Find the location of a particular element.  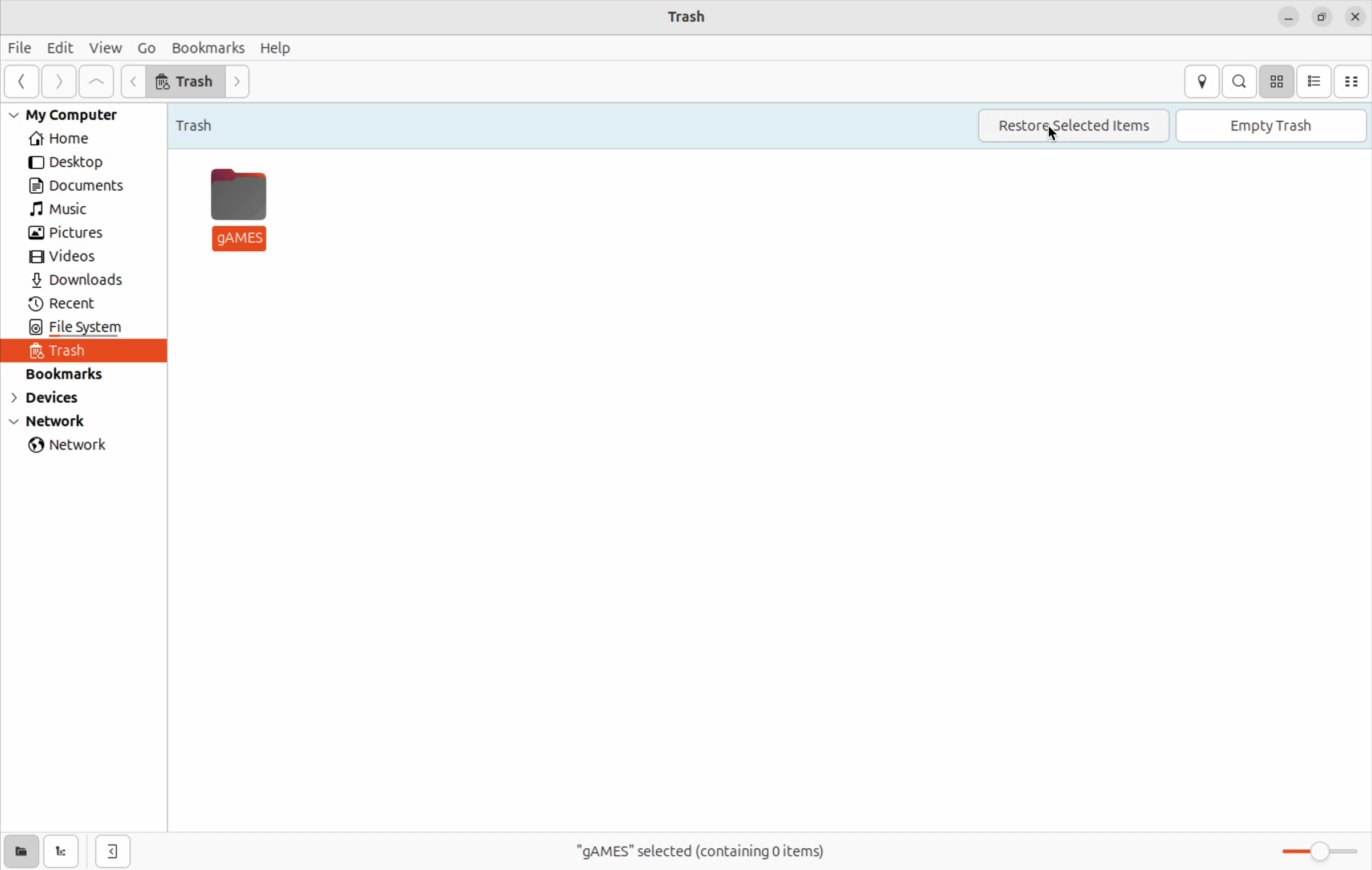

Go up is located at coordinates (97, 82).